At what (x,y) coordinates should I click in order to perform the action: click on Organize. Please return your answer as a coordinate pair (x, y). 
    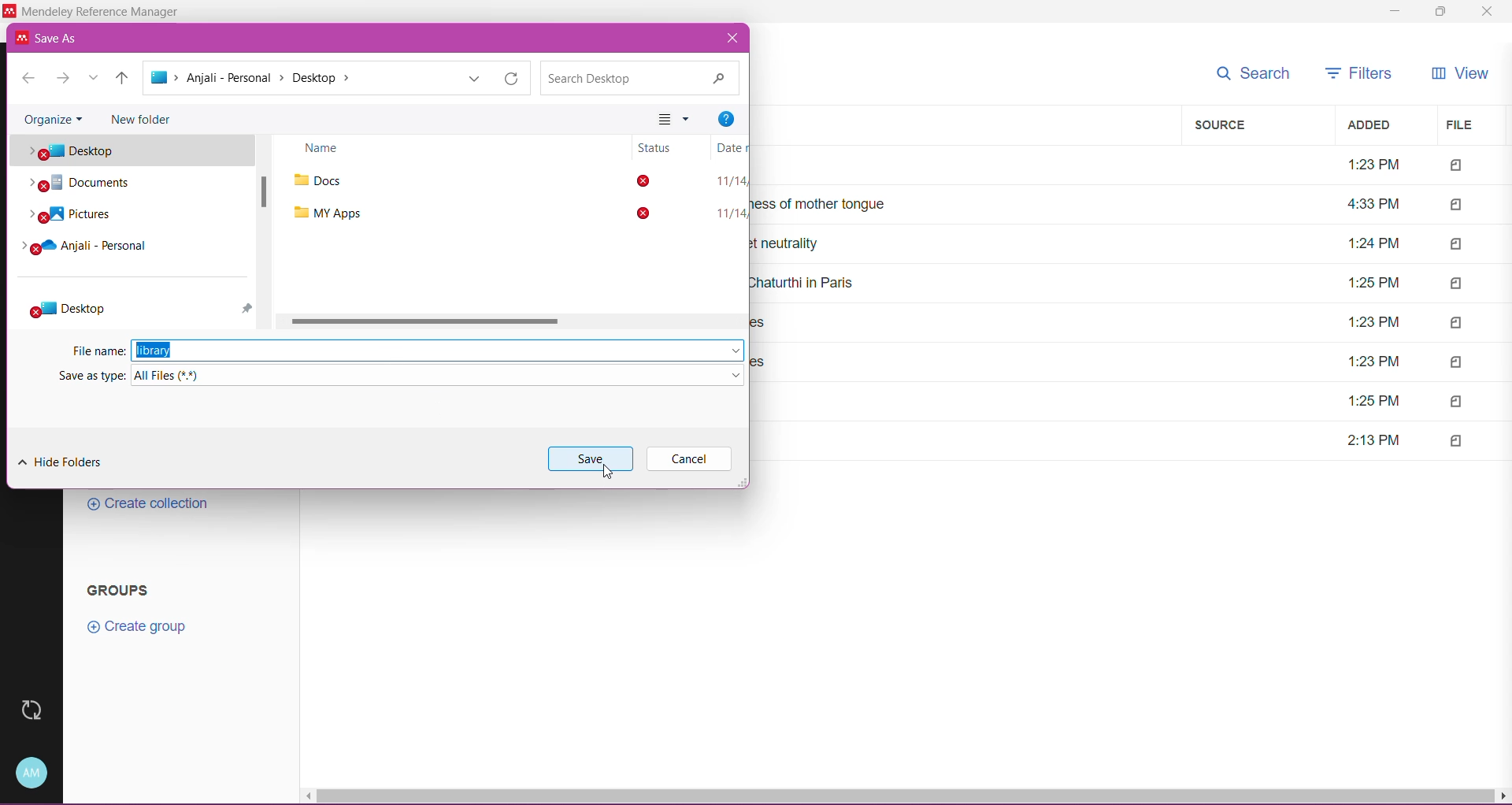
    Looking at the image, I should click on (54, 118).